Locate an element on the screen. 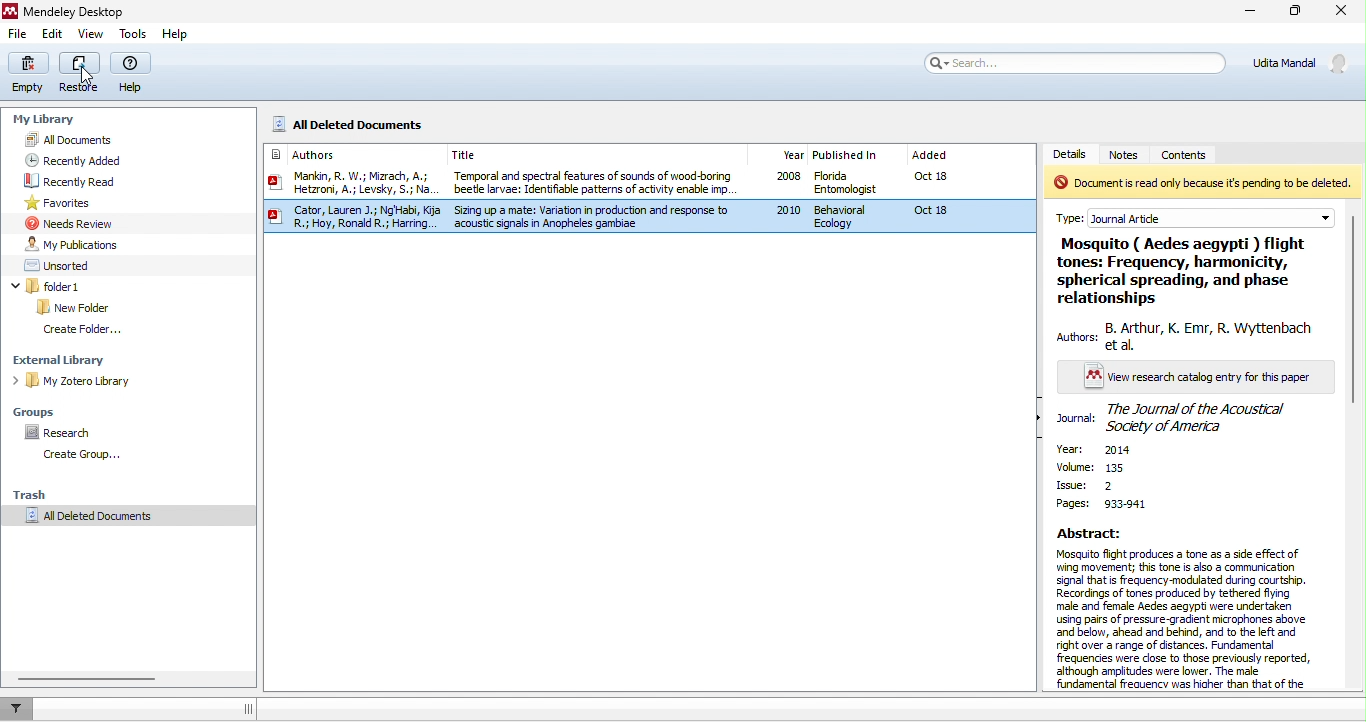 This screenshot has height=722, width=1366. restore is located at coordinates (82, 73).